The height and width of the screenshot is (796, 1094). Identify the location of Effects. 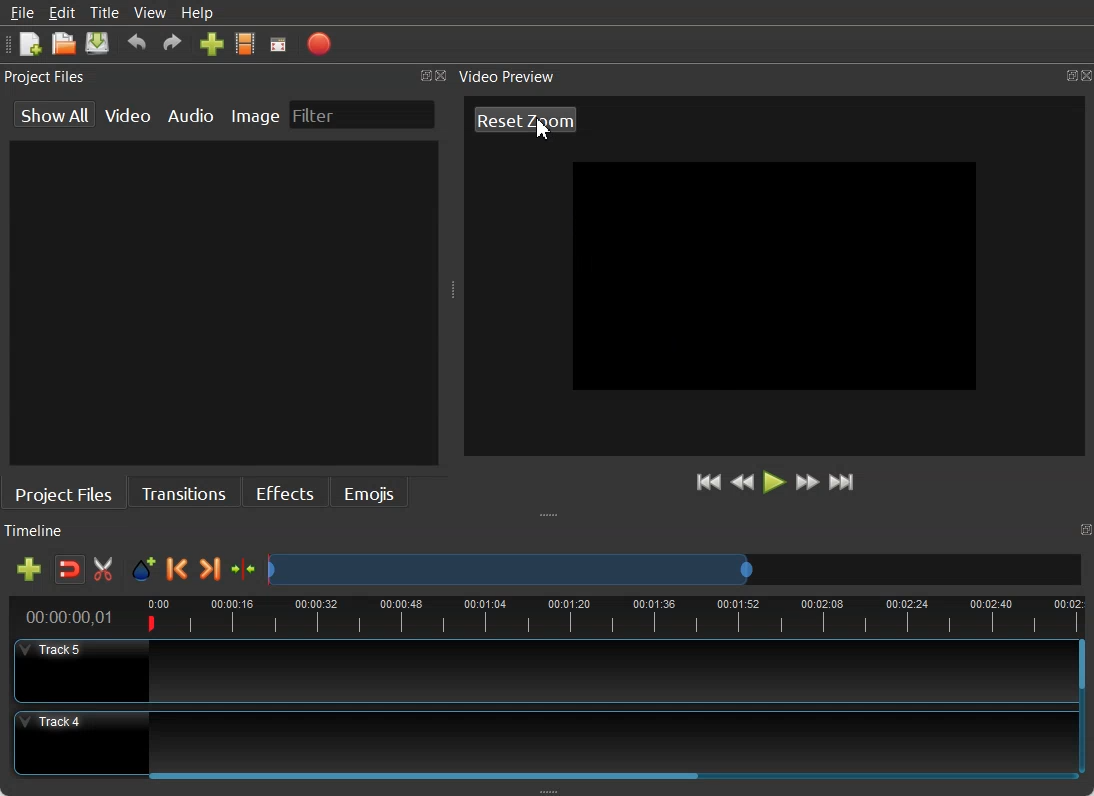
(286, 490).